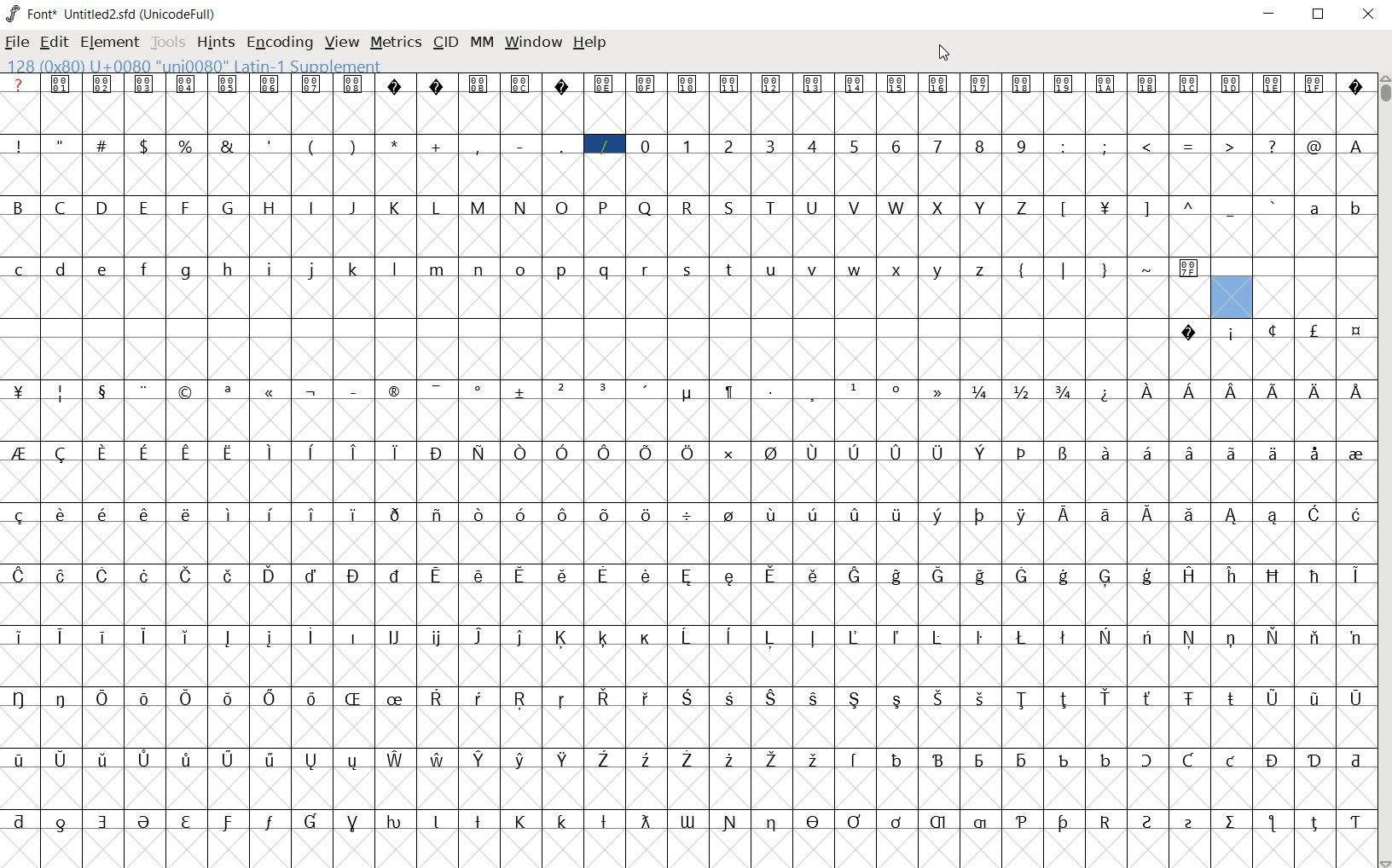  I want to click on glyph, so click(354, 515).